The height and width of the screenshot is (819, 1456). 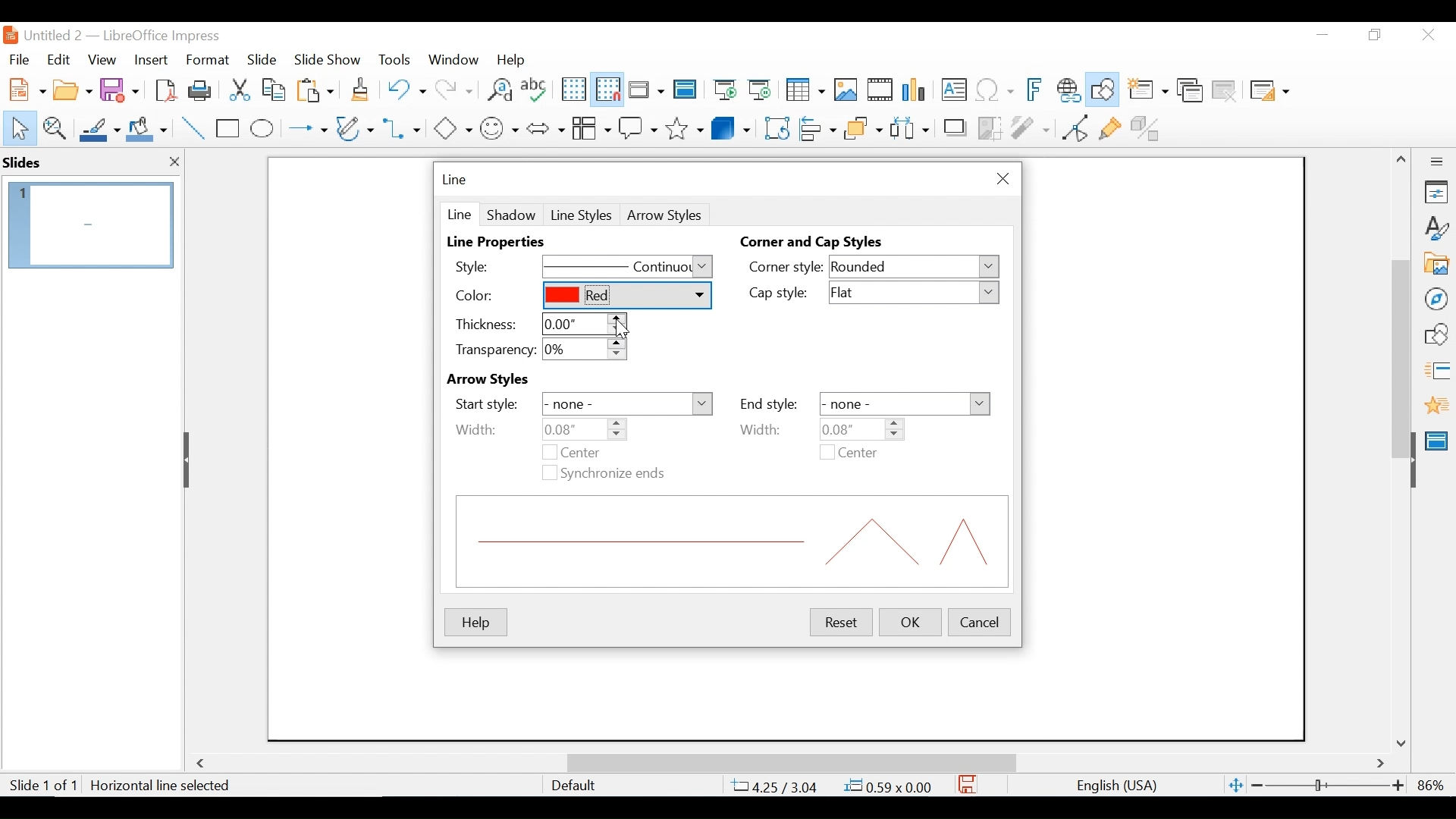 What do you see at coordinates (1223, 91) in the screenshot?
I see `Delete Slide` at bounding box center [1223, 91].